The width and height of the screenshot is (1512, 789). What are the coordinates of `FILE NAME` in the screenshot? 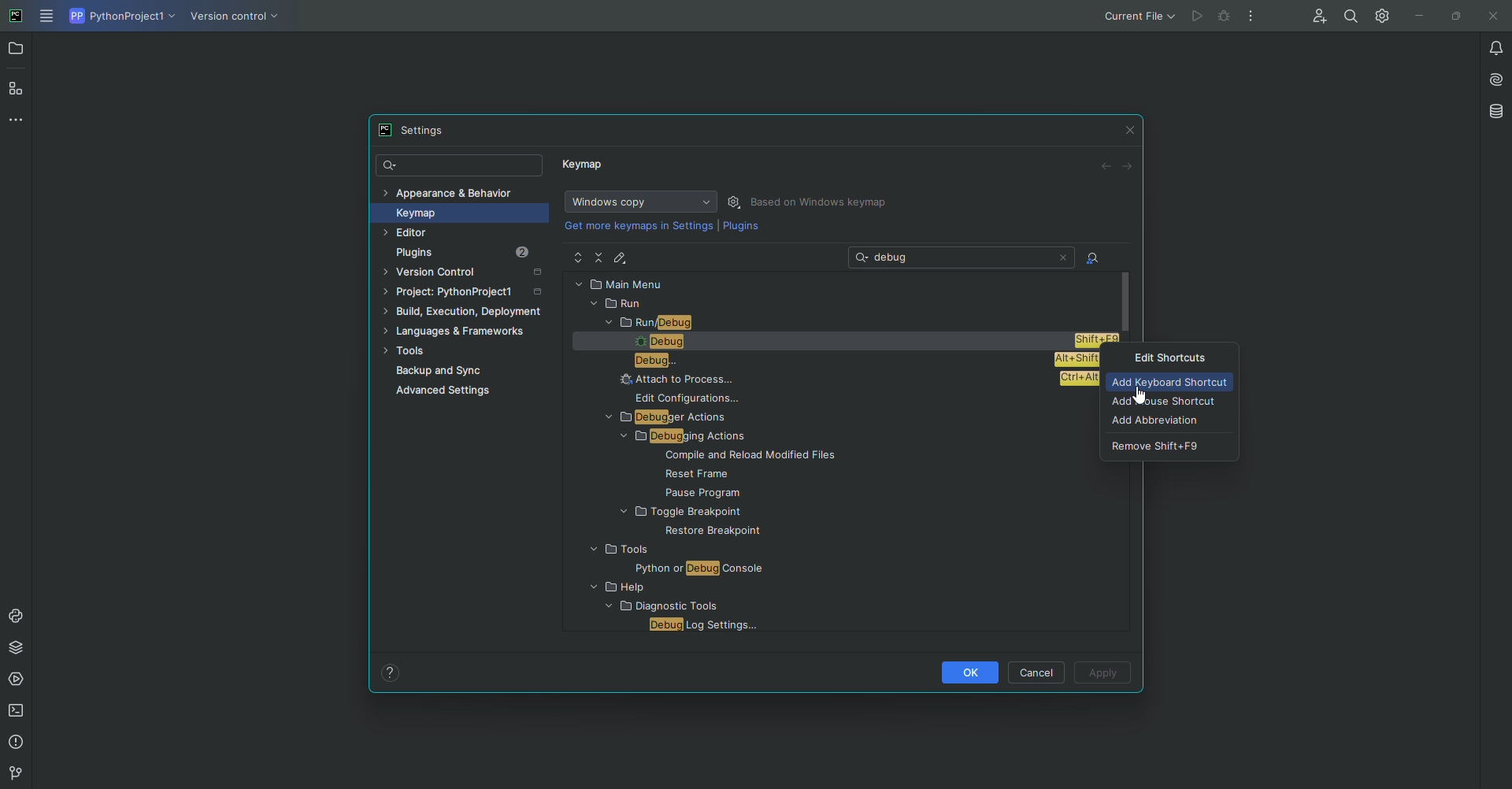 It's located at (700, 625).